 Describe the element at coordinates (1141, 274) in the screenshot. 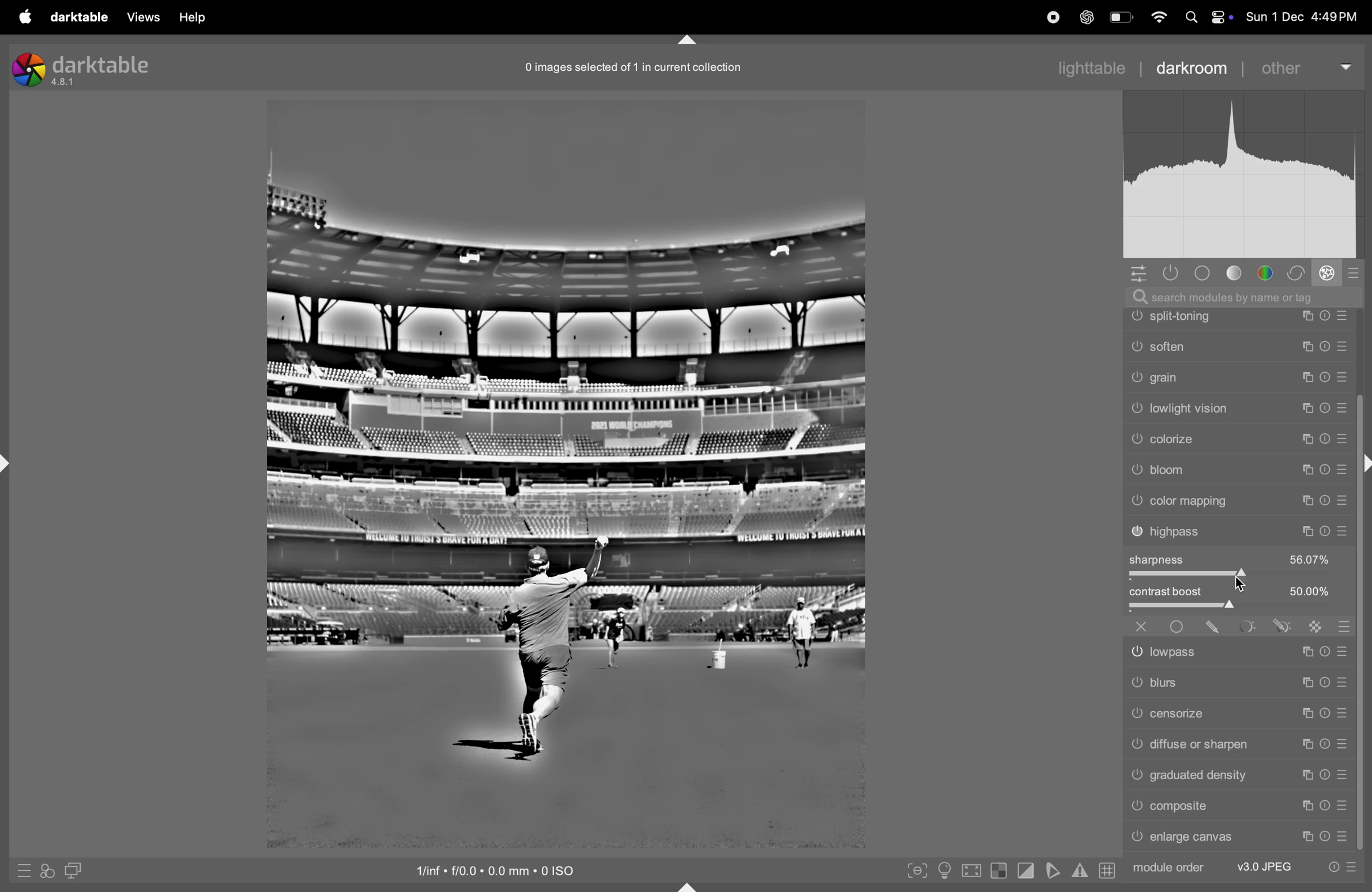

I see `options` at that location.